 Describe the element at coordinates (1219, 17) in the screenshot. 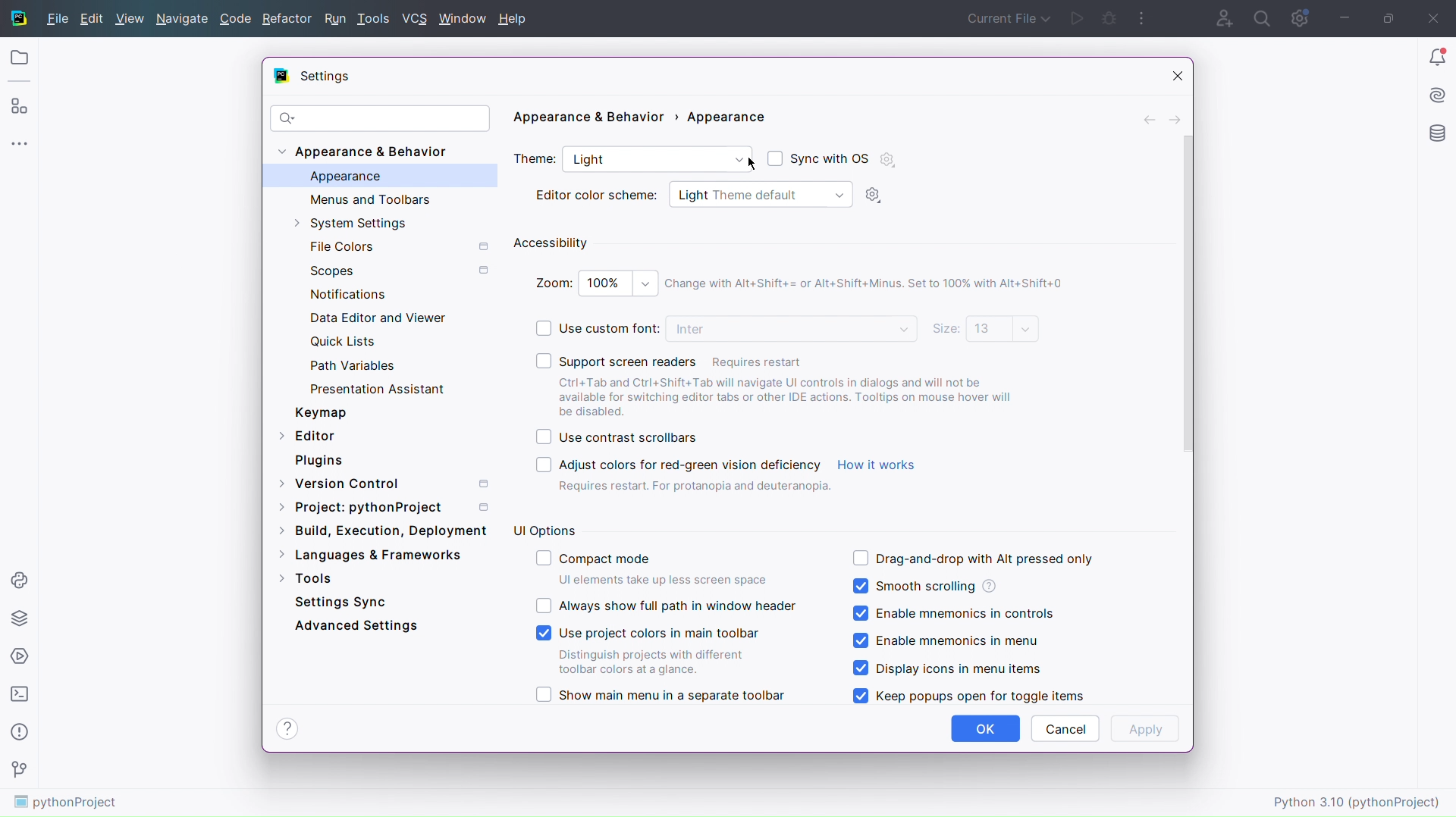

I see `Account` at that location.